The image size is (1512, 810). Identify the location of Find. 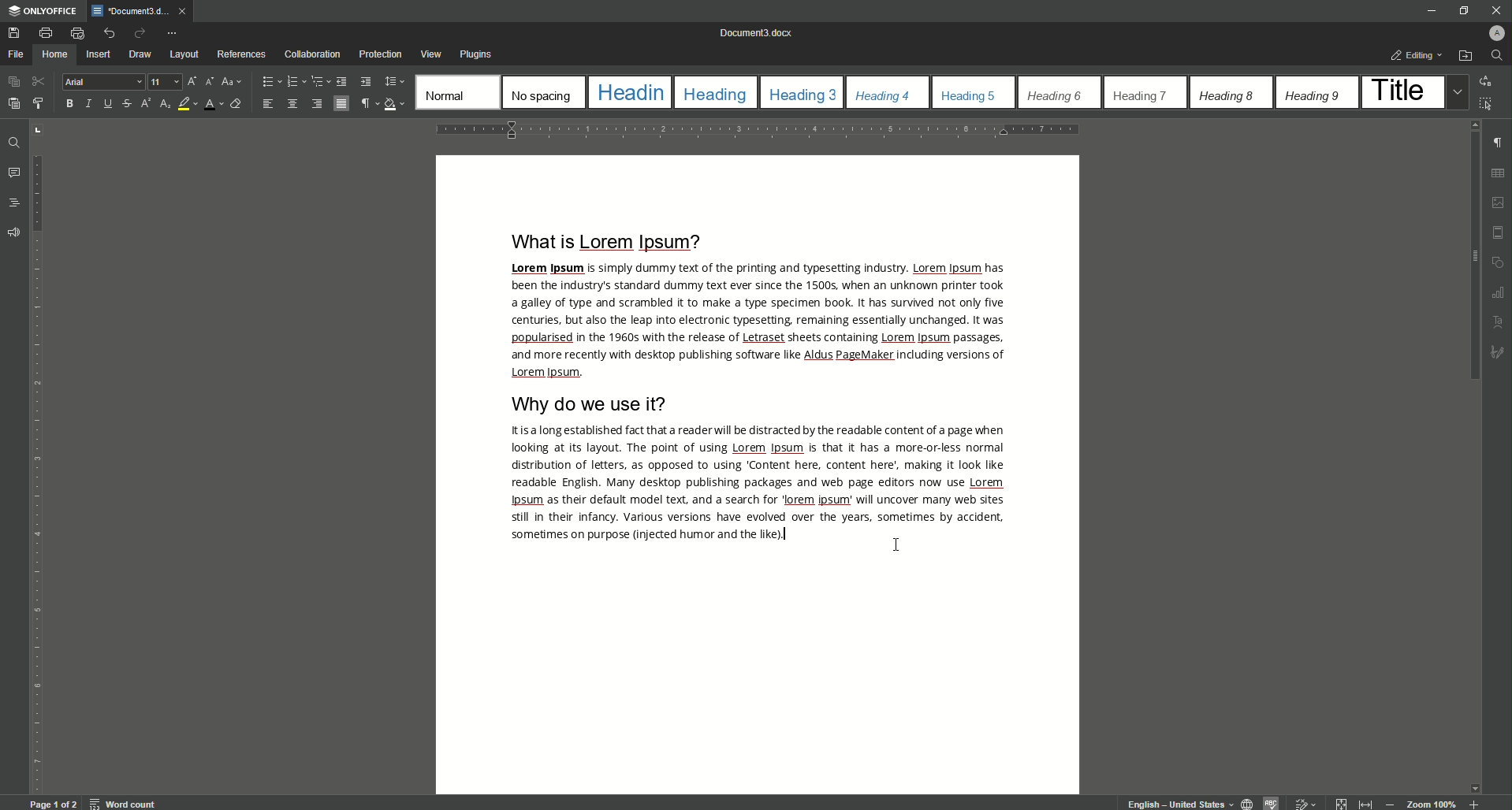
(1495, 55).